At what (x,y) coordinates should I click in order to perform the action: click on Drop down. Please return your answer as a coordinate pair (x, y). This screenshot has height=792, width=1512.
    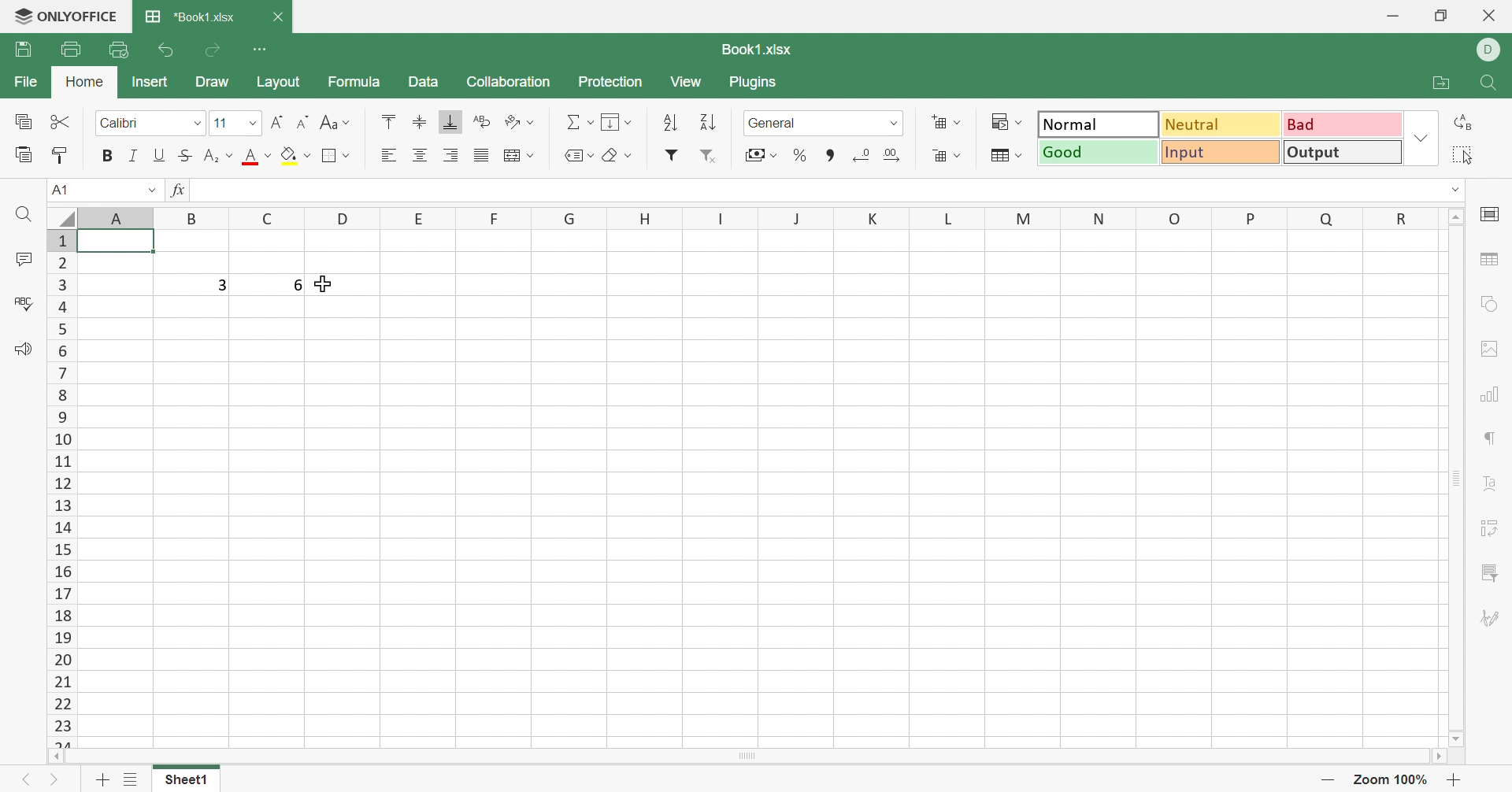
    Looking at the image, I should click on (154, 191).